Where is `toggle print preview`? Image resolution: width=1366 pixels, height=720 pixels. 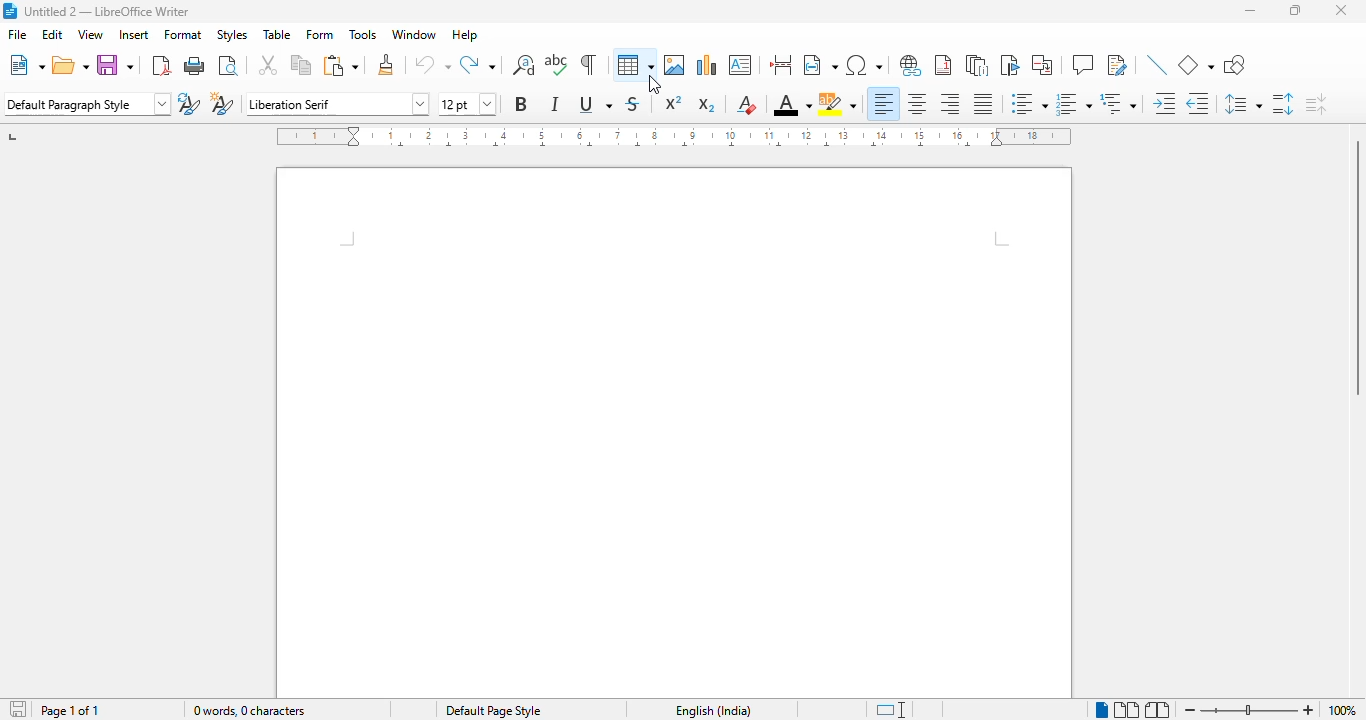 toggle print preview is located at coordinates (230, 66).